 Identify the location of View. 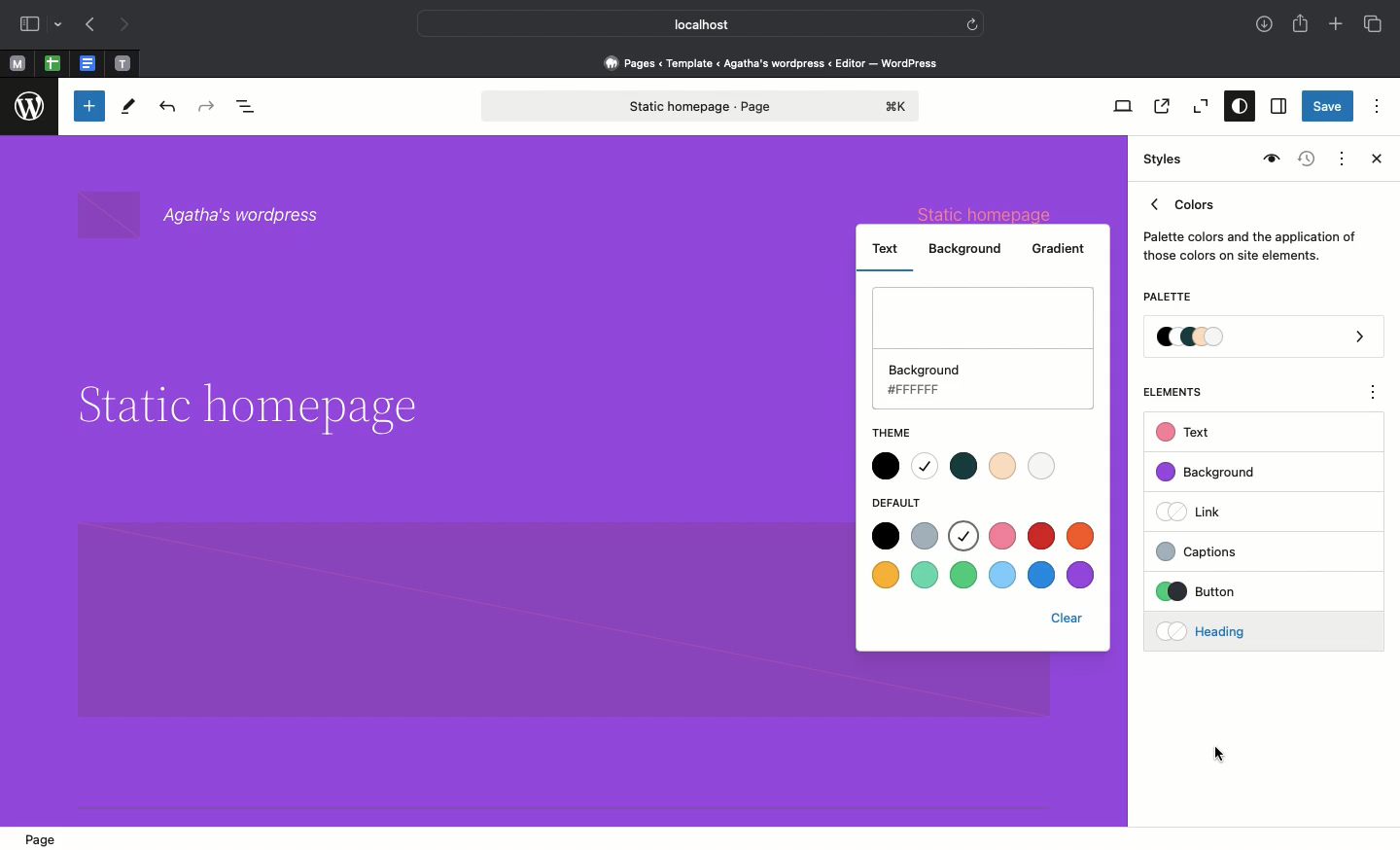
(1119, 106).